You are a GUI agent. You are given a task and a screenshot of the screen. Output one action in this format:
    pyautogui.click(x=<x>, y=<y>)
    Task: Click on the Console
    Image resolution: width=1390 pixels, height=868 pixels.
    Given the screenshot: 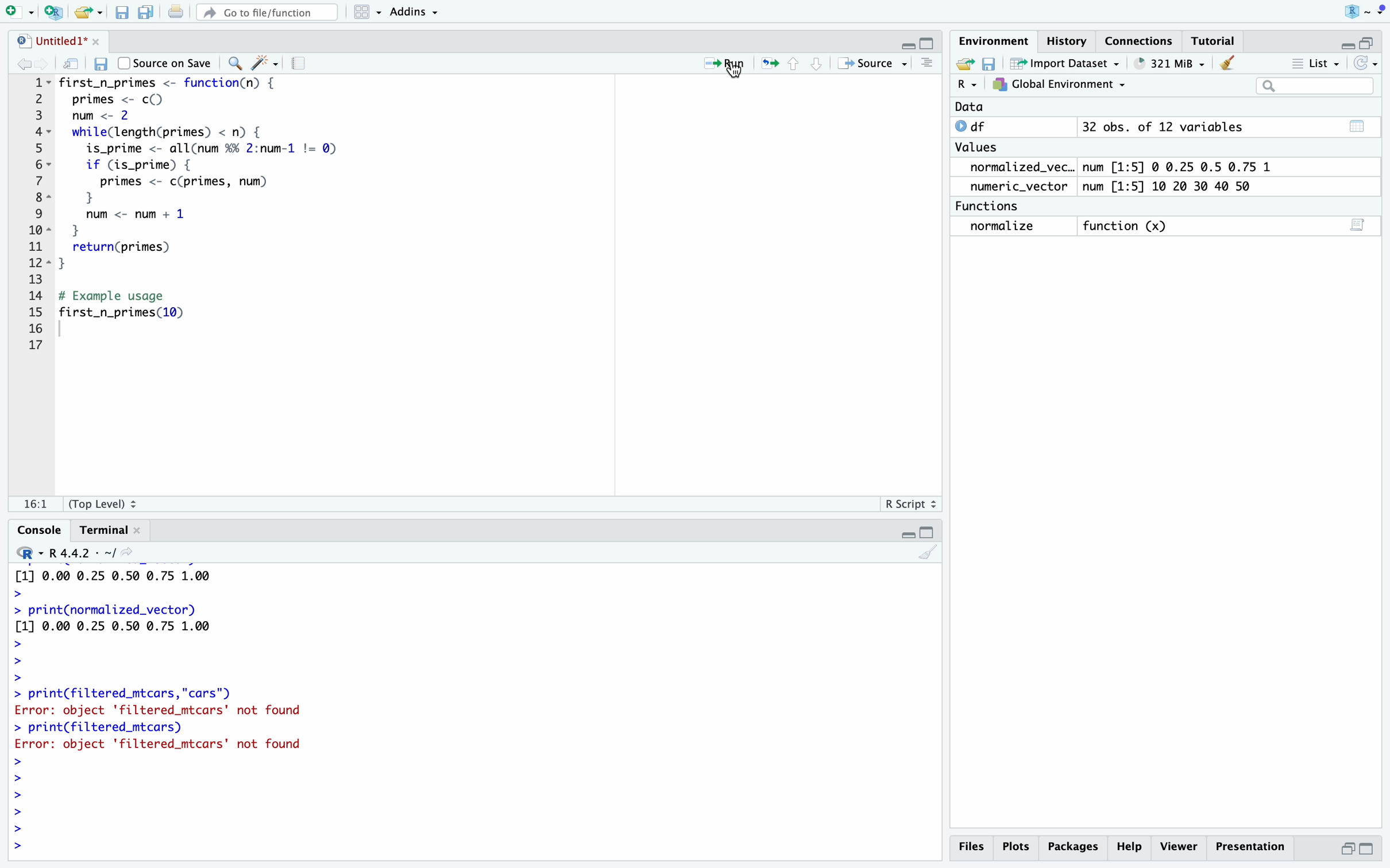 What is the action you would take?
    pyautogui.click(x=41, y=528)
    